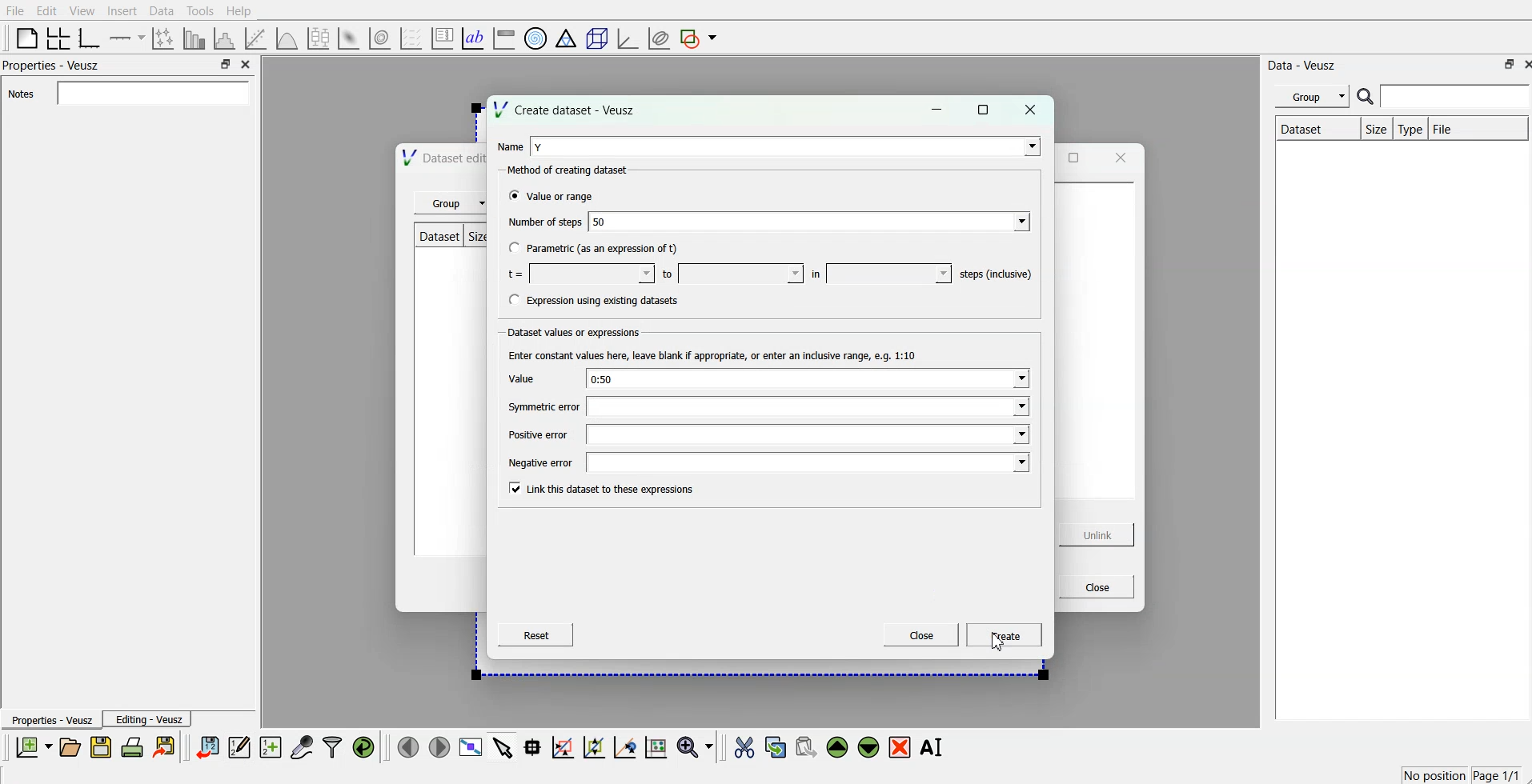 This screenshot has width=1532, height=784. What do you see at coordinates (543, 223) in the screenshot?
I see `Number of steps` at bounding box center [543, 223].